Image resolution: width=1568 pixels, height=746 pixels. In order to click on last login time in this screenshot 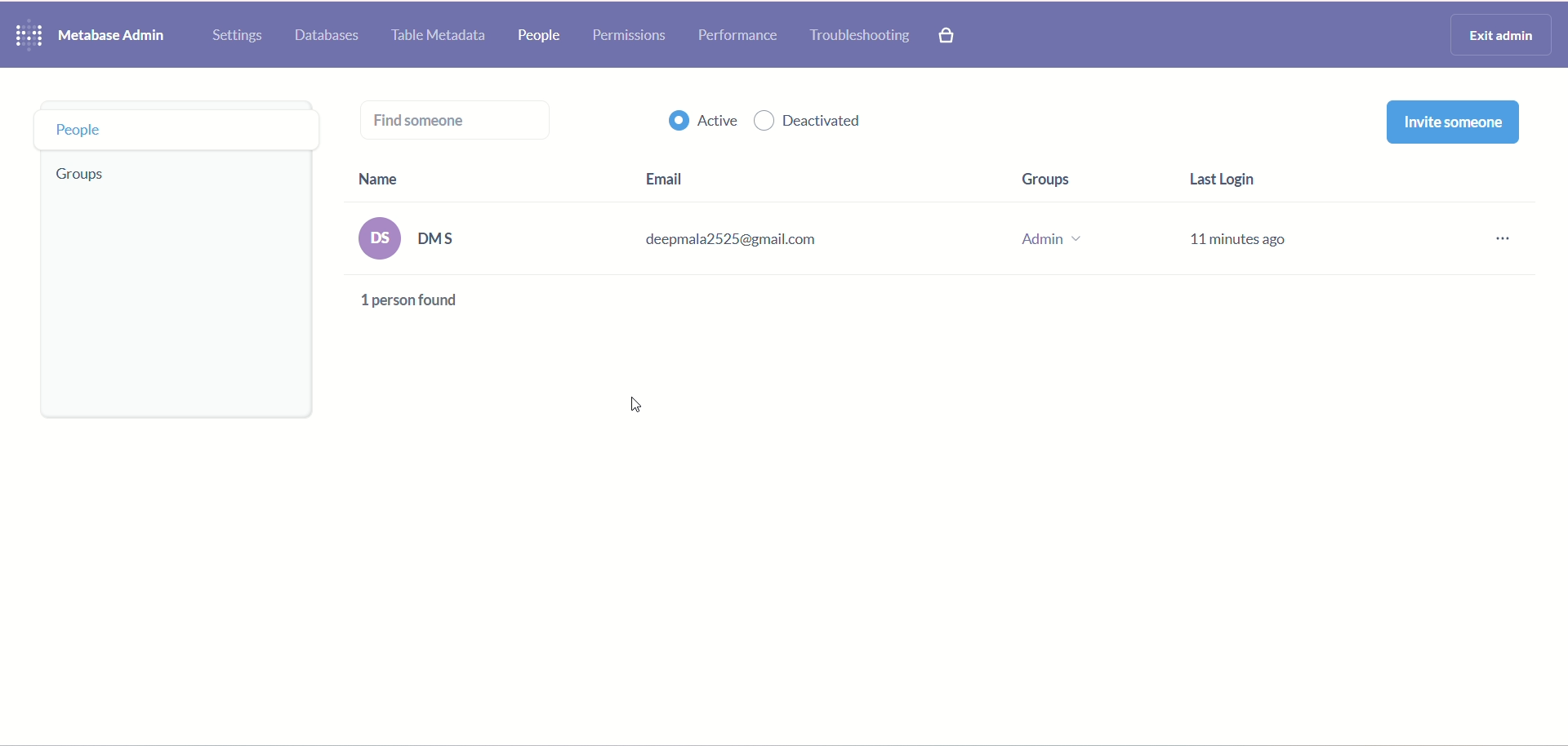, I will do `click(1236, 213)`.